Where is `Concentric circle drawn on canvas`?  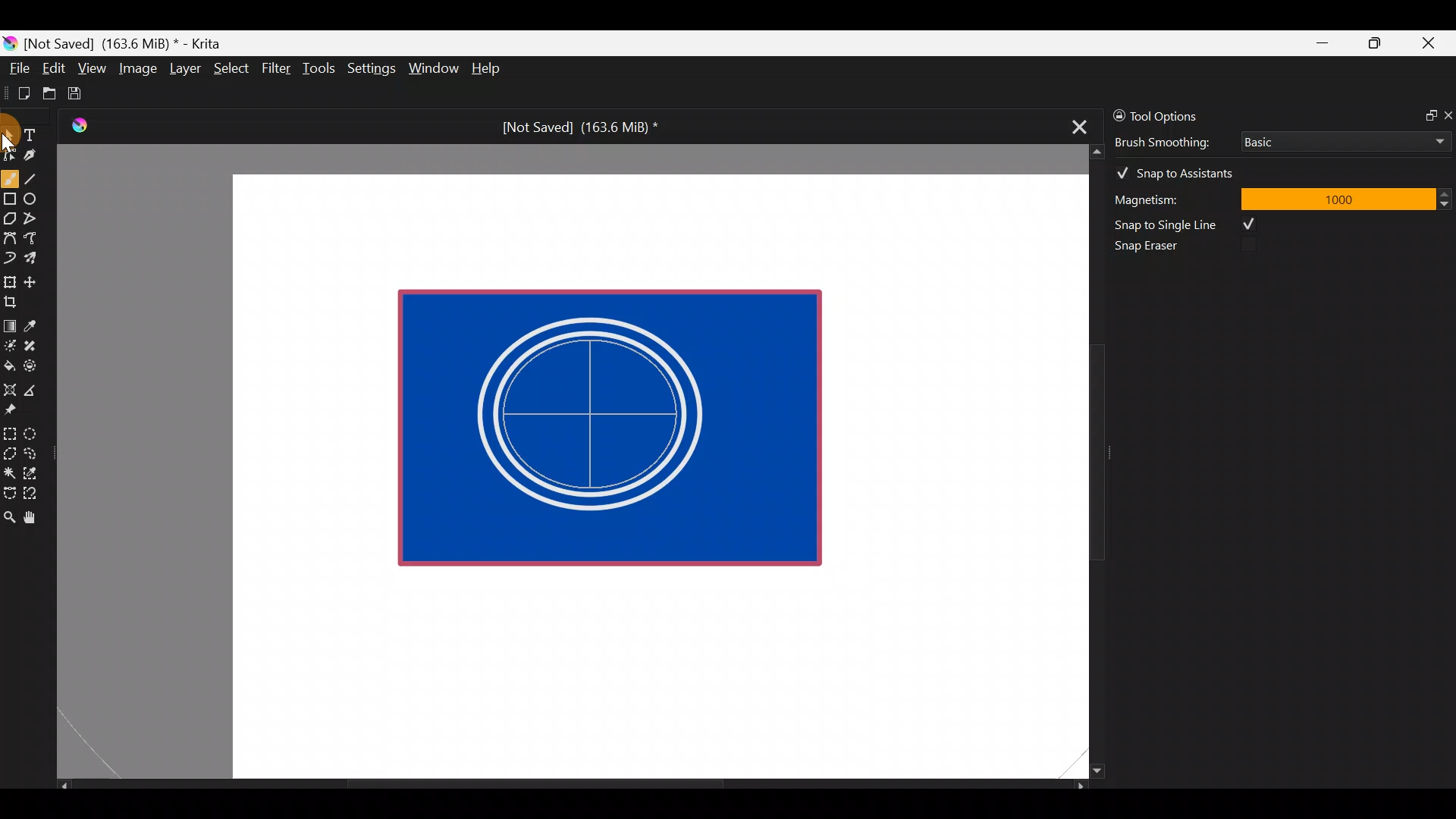 Concentric circle drawn on canvas is located at coordinates (595, 414).